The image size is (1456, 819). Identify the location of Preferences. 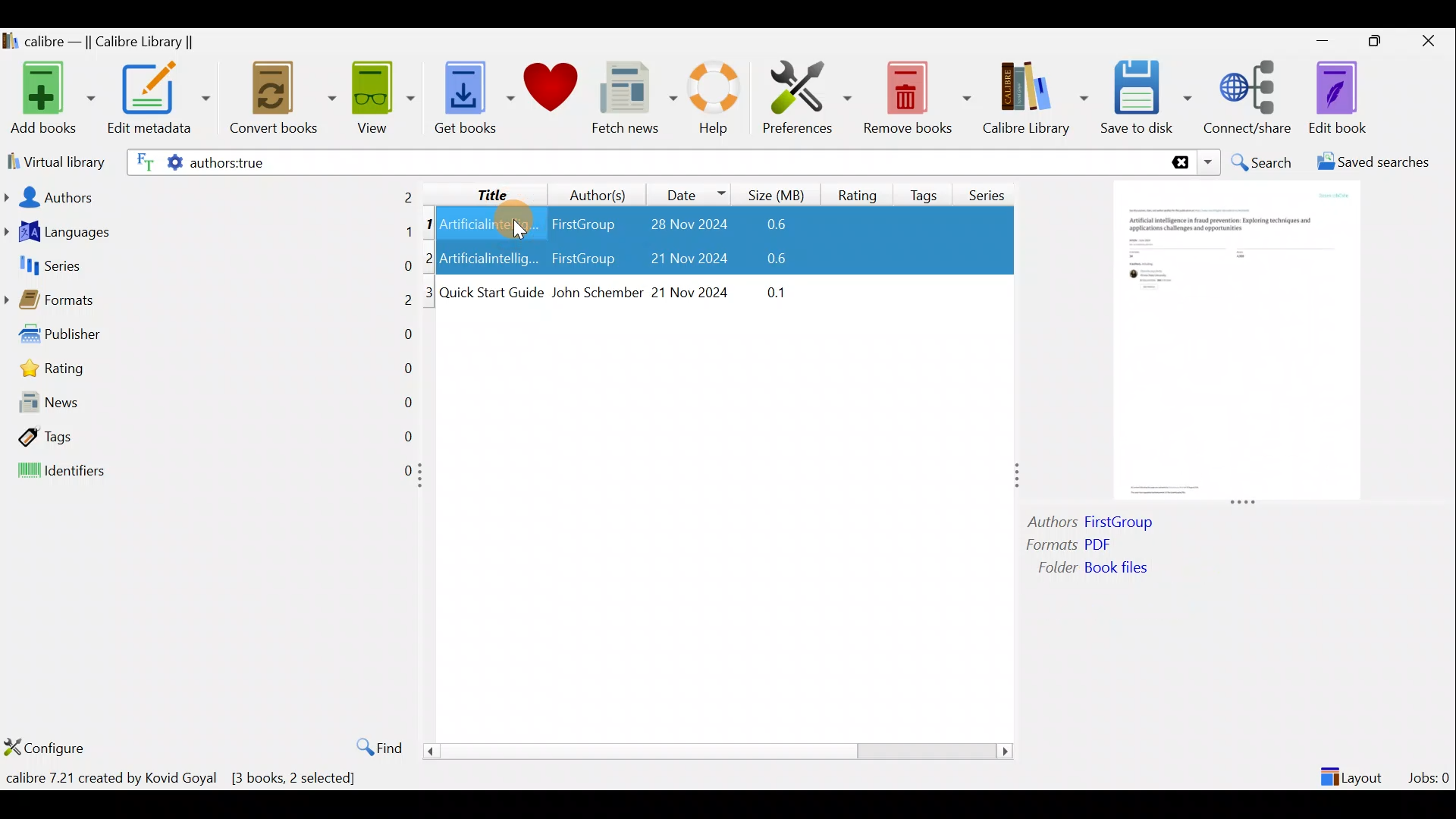
(807, 96).